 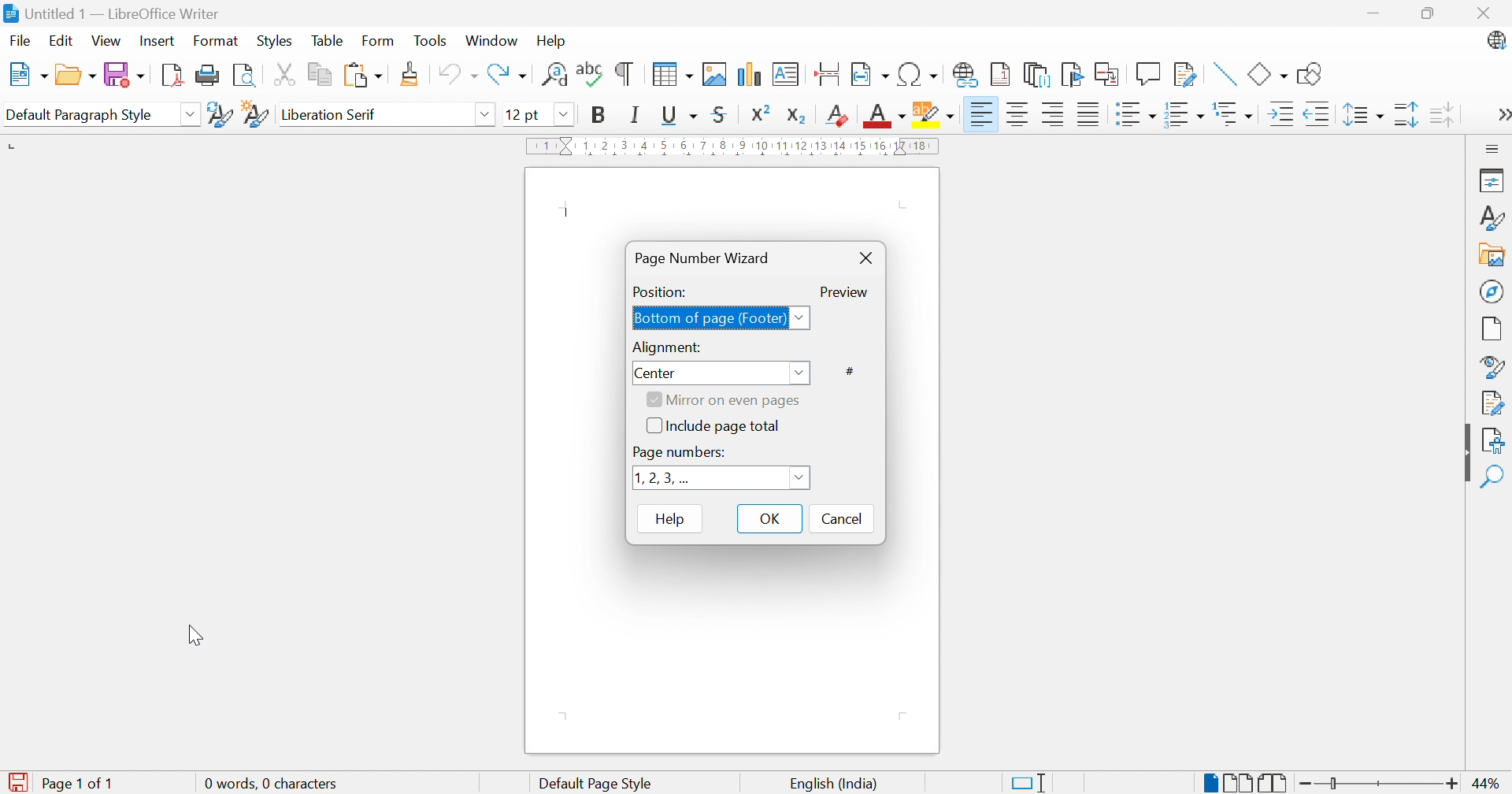 What do you see at coordinates (832, 785) in the screenshot?
I see `English (India)` at bounding box center [832, 785].